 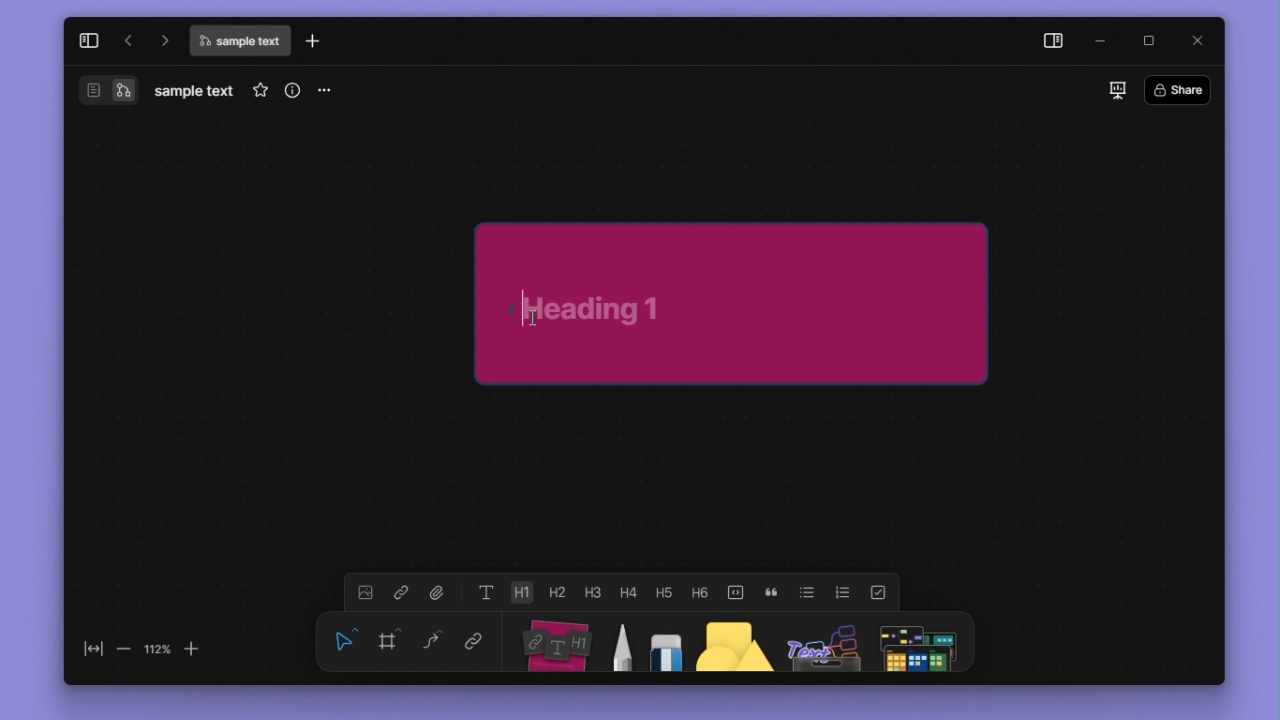 I want to click on pen, so click(x=625, y=642).